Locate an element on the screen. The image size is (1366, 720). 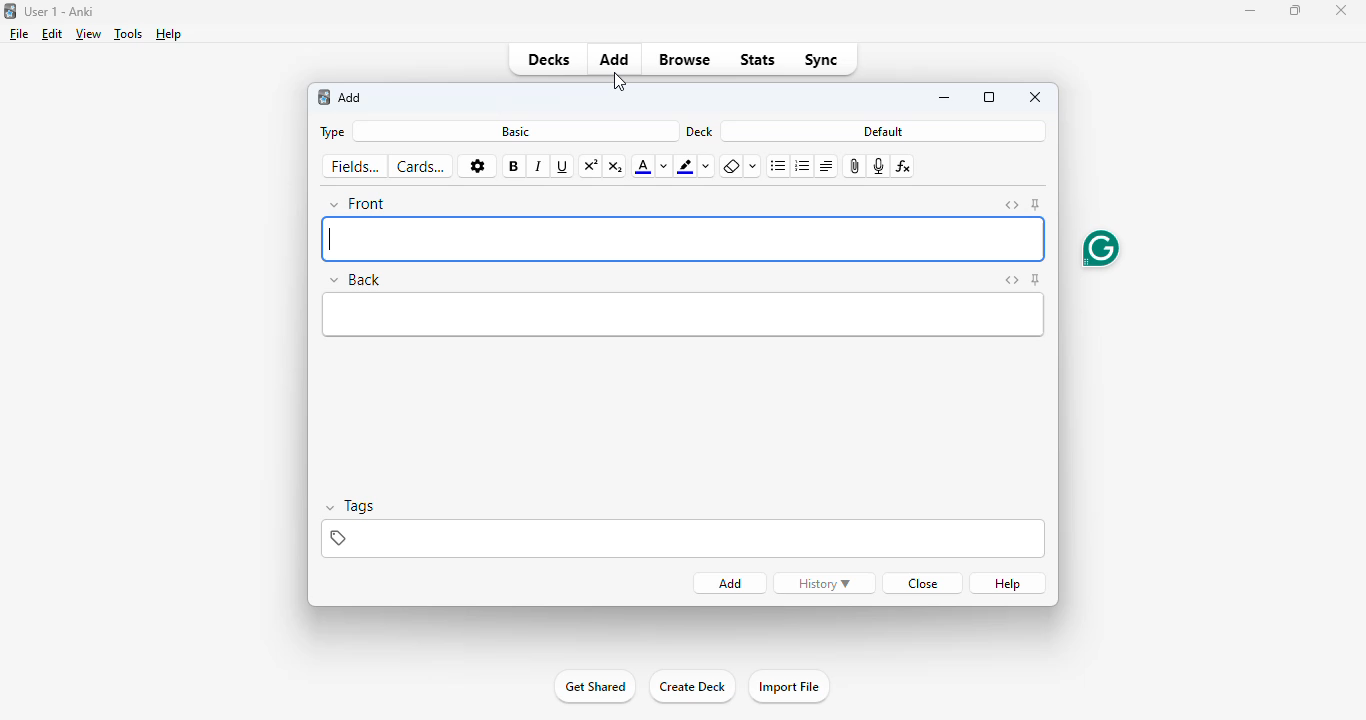
italic is located at coordinates (539, 168).